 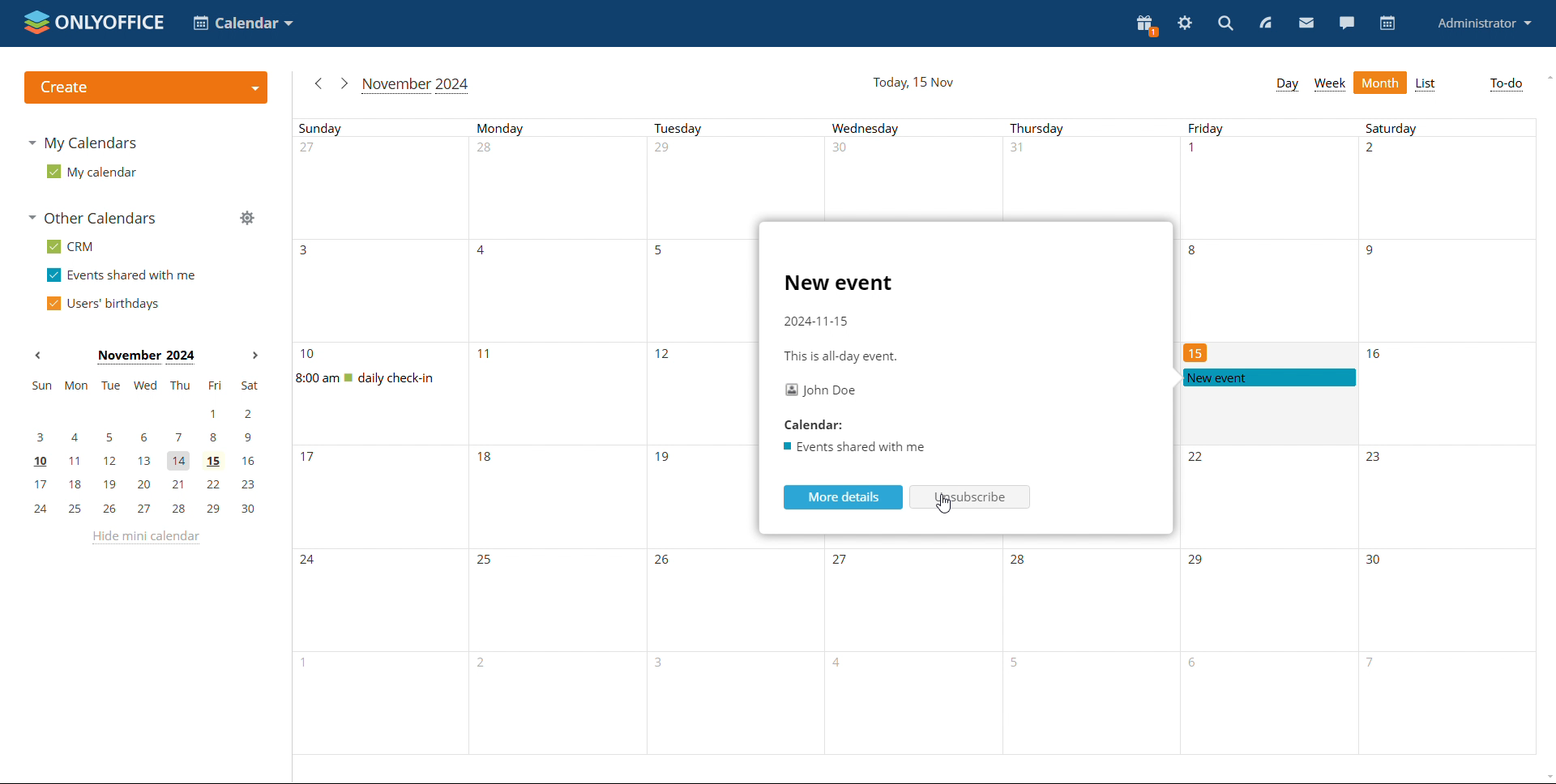 What do you see at coordinates (1345, 23) in the screenshot?
I see `chat` at bounding box center [1345, 23].